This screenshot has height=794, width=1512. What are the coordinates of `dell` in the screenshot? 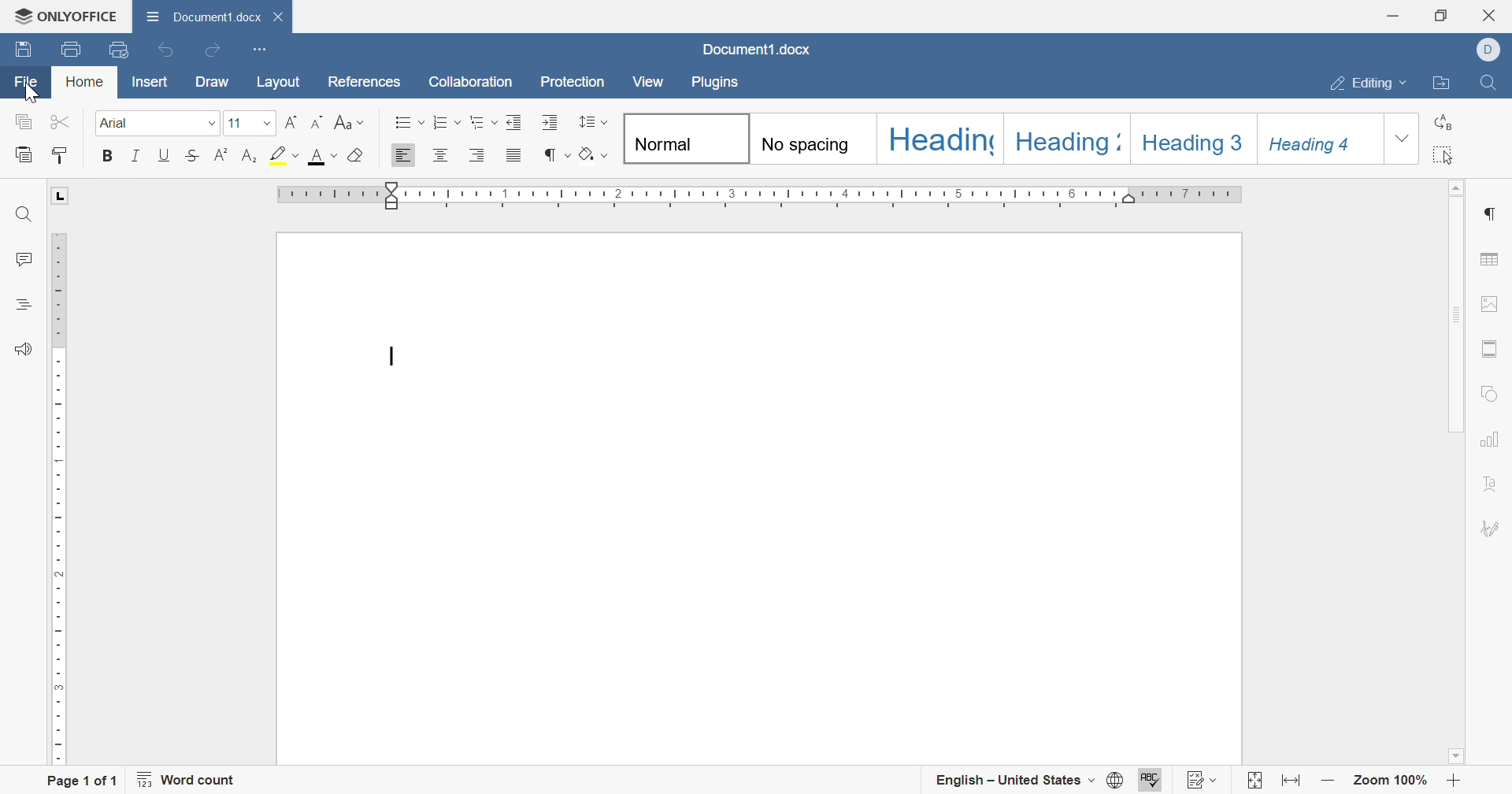 It's located at (1490, 51).